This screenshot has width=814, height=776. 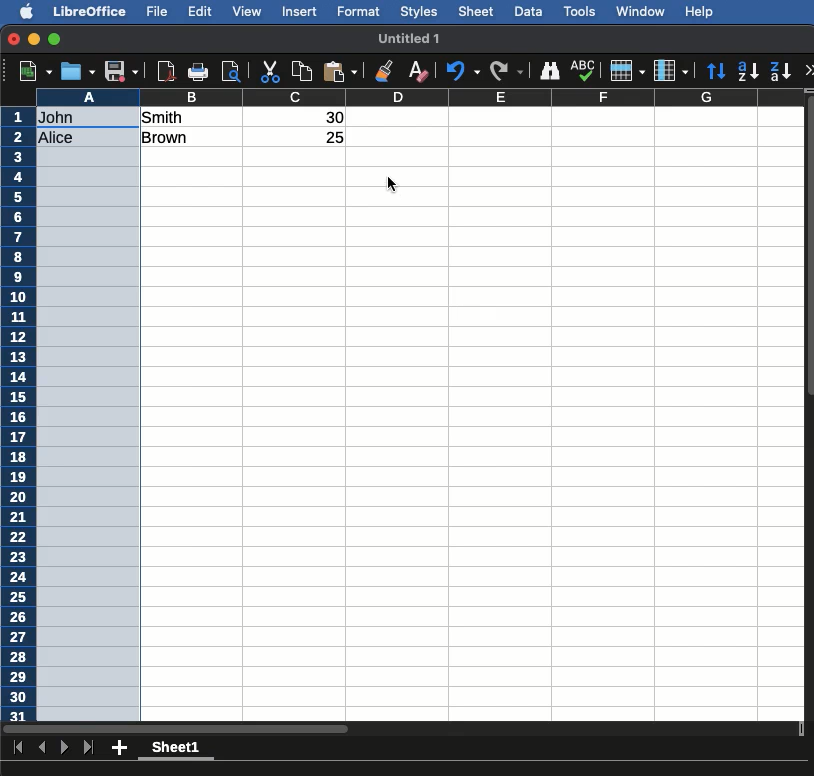 What do you see at coordinates (301, 14) in the screenshot?
I see `Insert` at bounding box center [301, 14].